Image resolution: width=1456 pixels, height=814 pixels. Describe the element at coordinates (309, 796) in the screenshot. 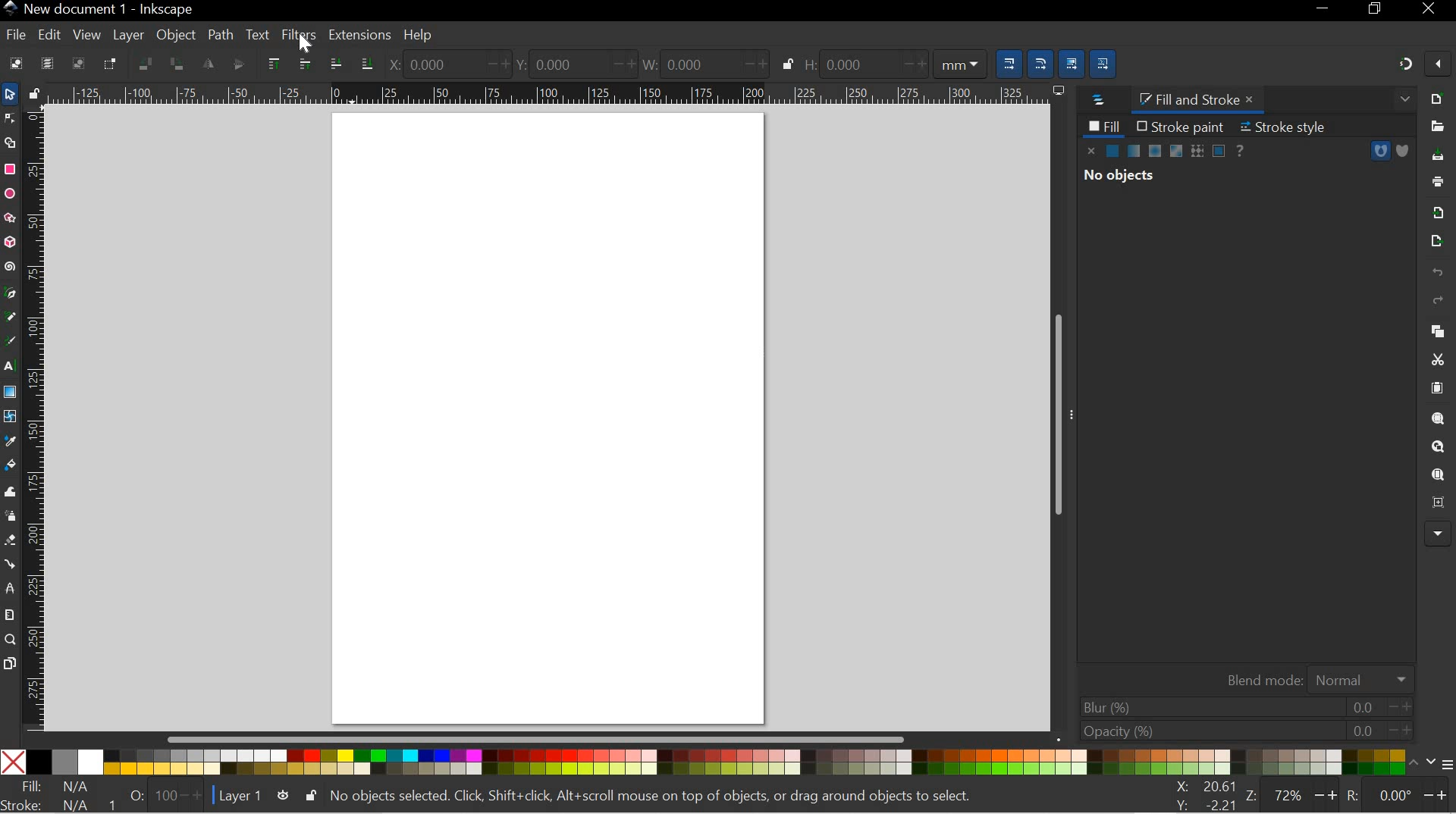

I see `LOCK OR UNLOCK` at that location.